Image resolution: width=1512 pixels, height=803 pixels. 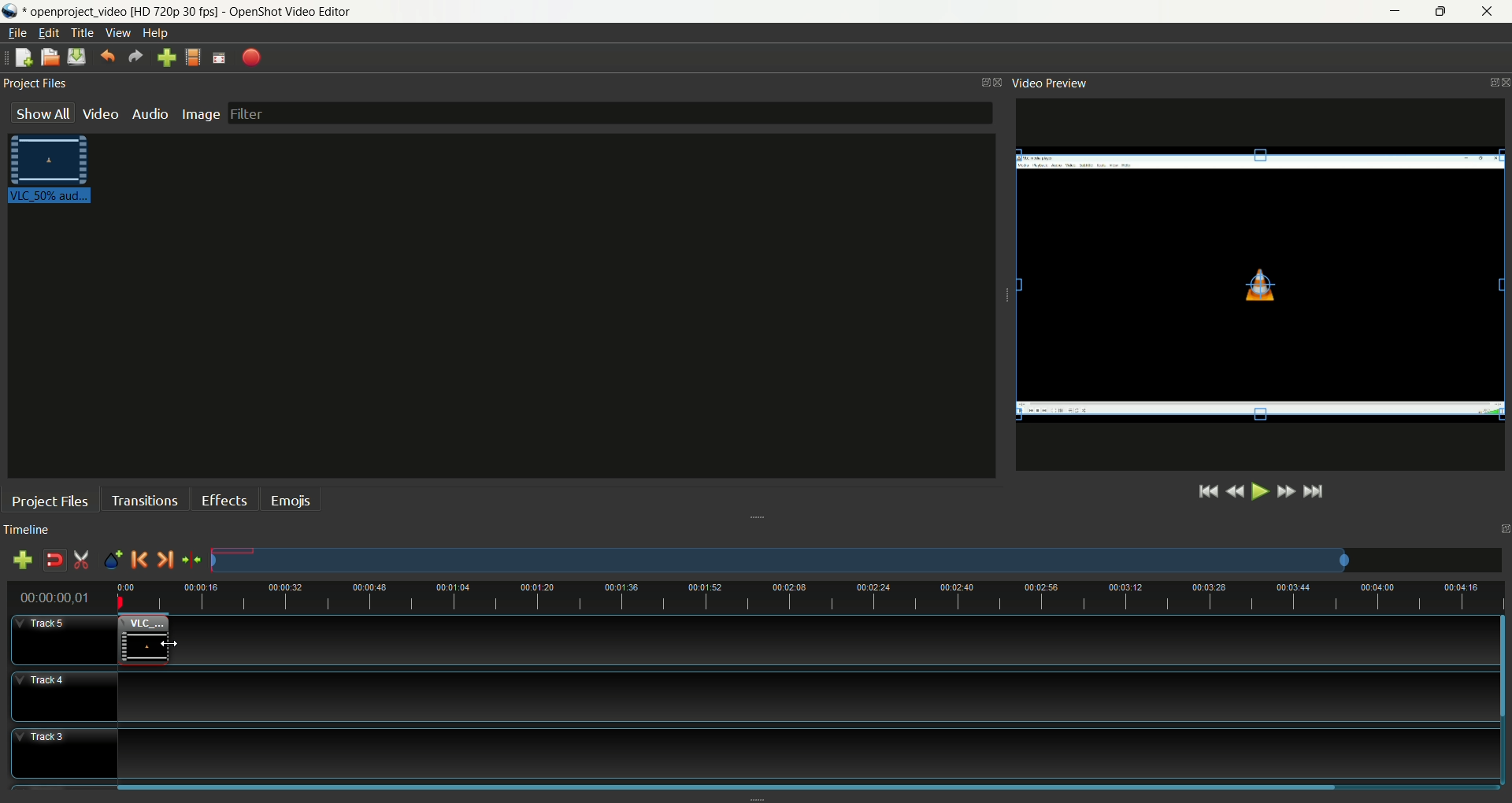 What do you see at coordinates (1261, 286) in the screenshot?
I see `video clip` at bounding box center [1261, 286].